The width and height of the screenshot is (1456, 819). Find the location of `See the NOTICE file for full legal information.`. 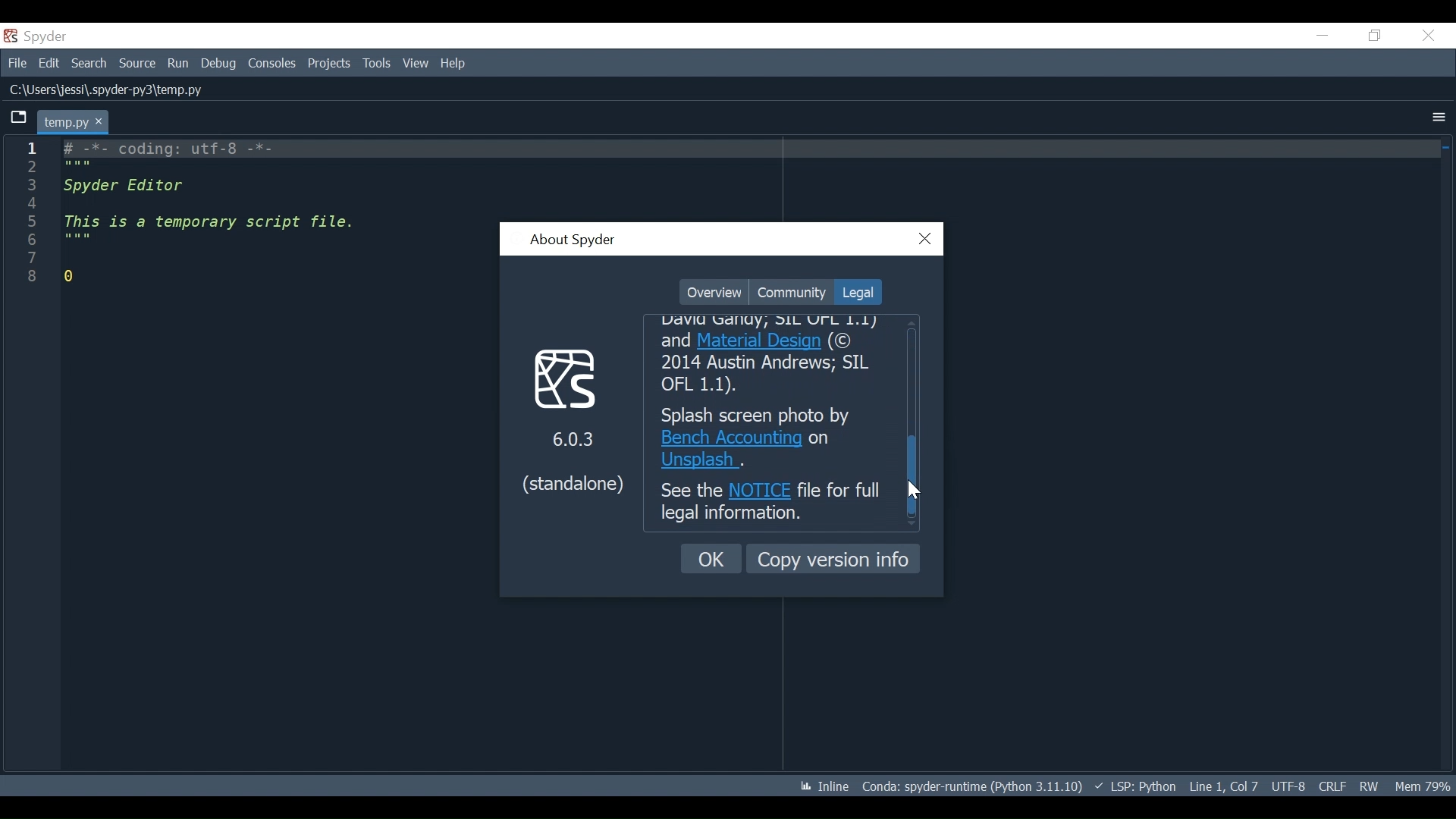

See the NOTICE file for full legal information. is located at coordinates (771, 504).